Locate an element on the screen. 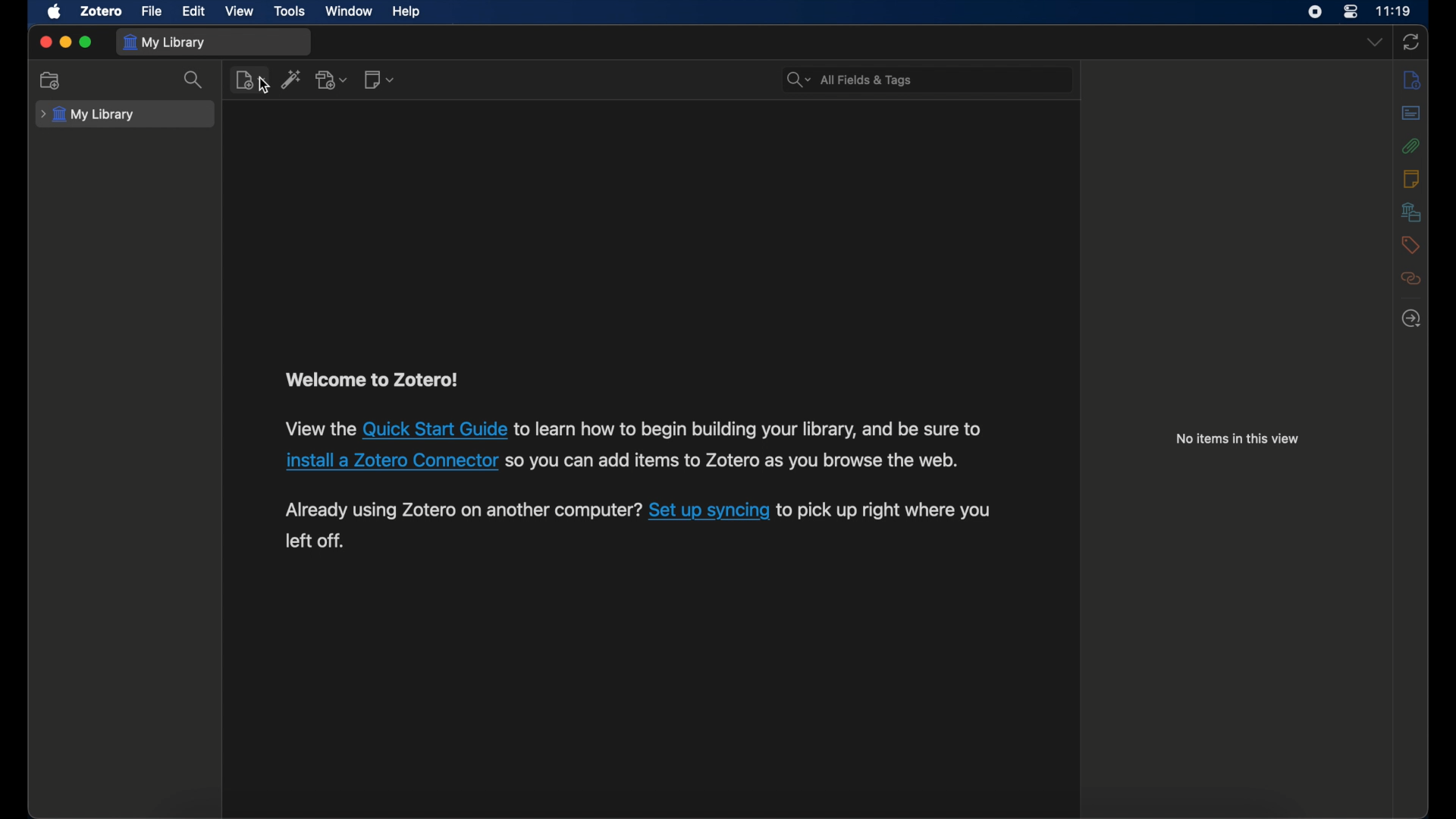 The height and width of the screenshot is (819, 1456). minimize is located at coordinates (65, 42).